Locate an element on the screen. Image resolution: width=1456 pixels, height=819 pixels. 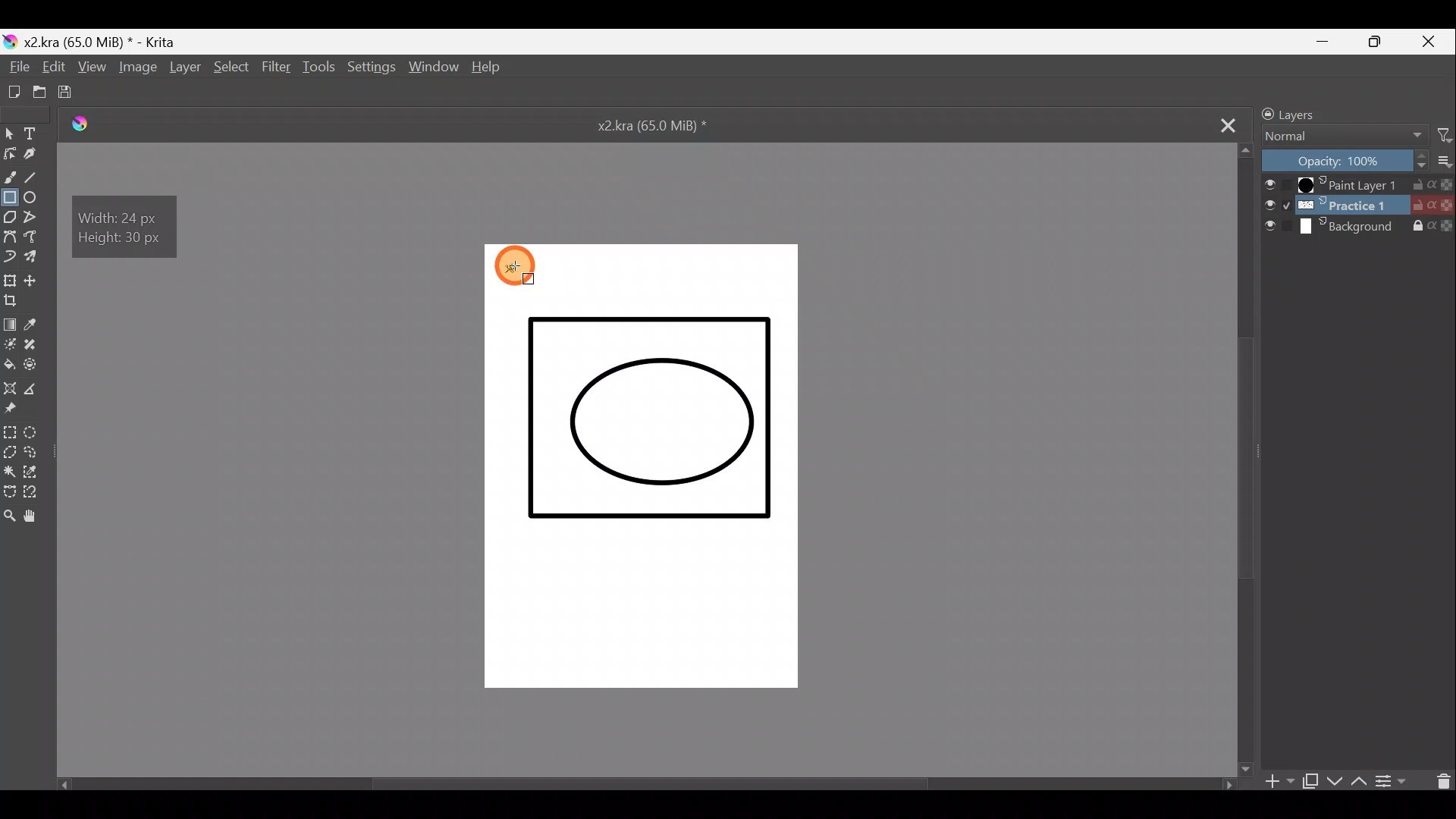
Move layer/mask up is located at coordinates (1359, 780).